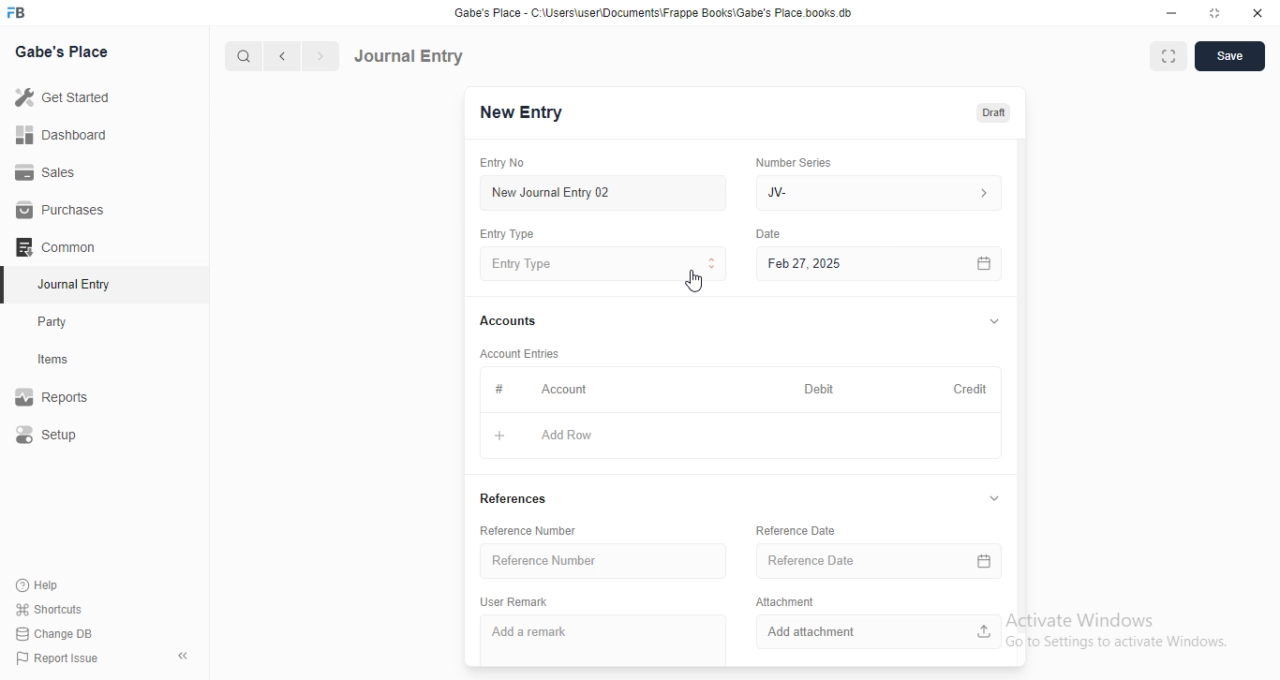 The height and width of the screenshot is (680, 1280). I want to click on Debit, so click(819, 390).